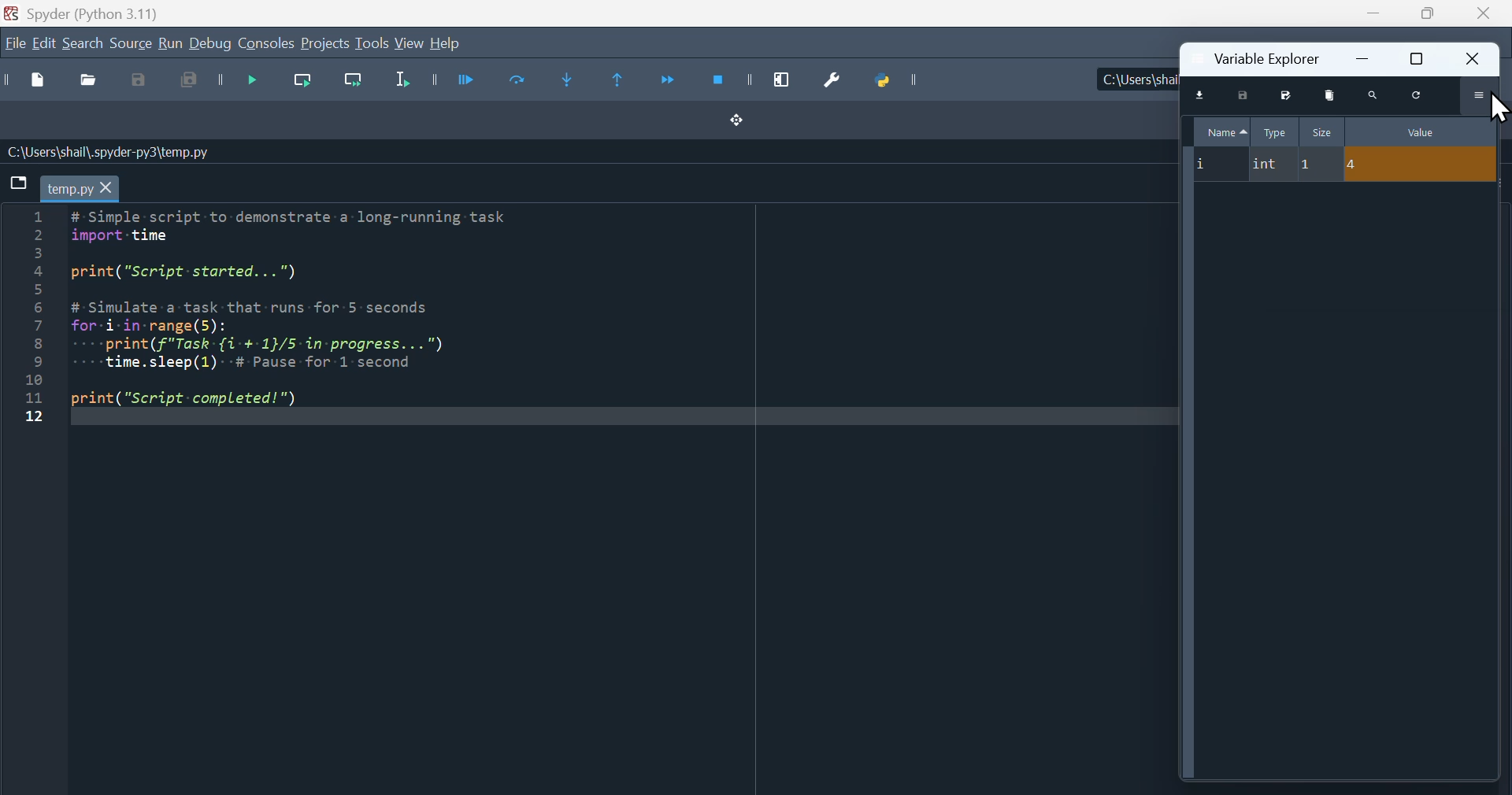 This screenshot has height=795, width=1512. What do you see at coordinates (827, 81) in the screenshot?
I see `Preferences` at bounding box center [827, 81].